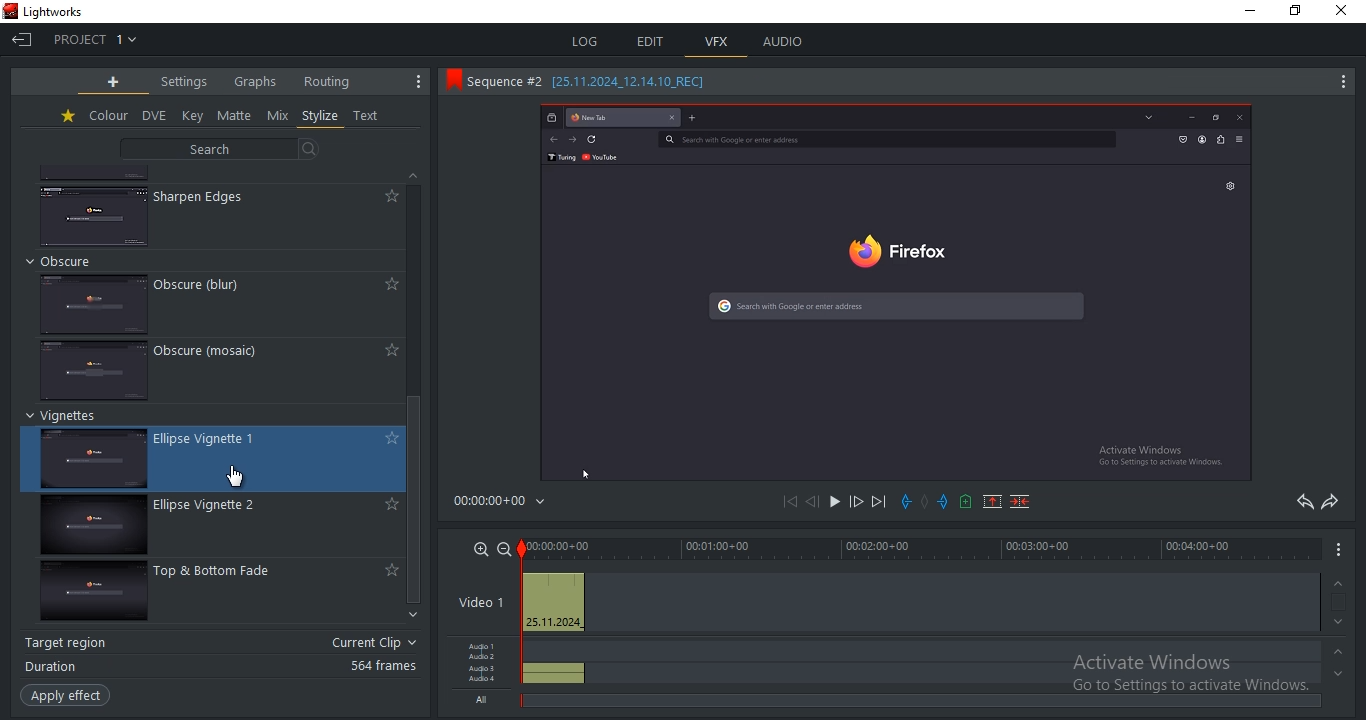 This screenshot has height=720, width=1366. I want to click on Audio clip, so click(556, 681).